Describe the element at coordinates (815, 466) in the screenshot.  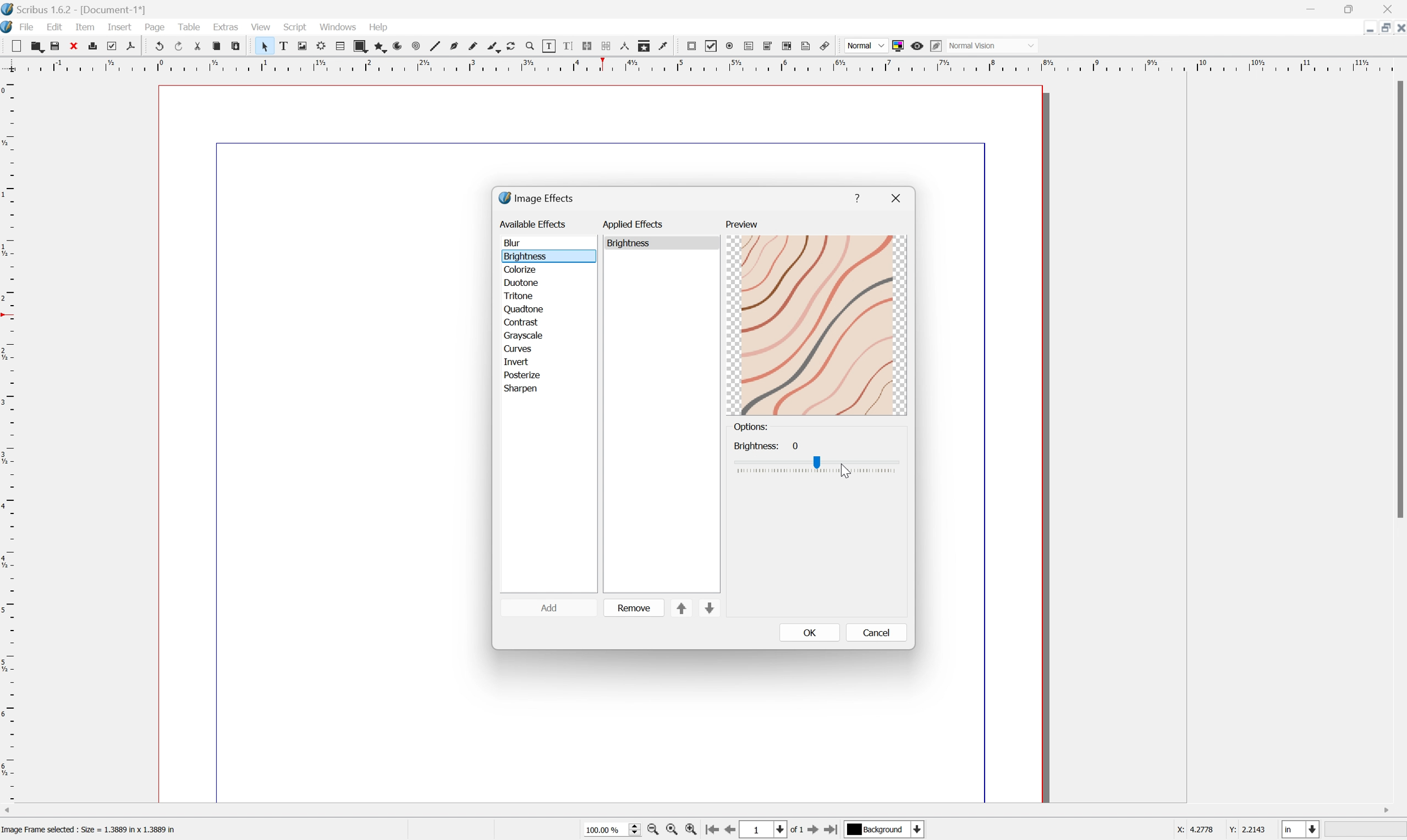
I see `Brightness slider` at that location.